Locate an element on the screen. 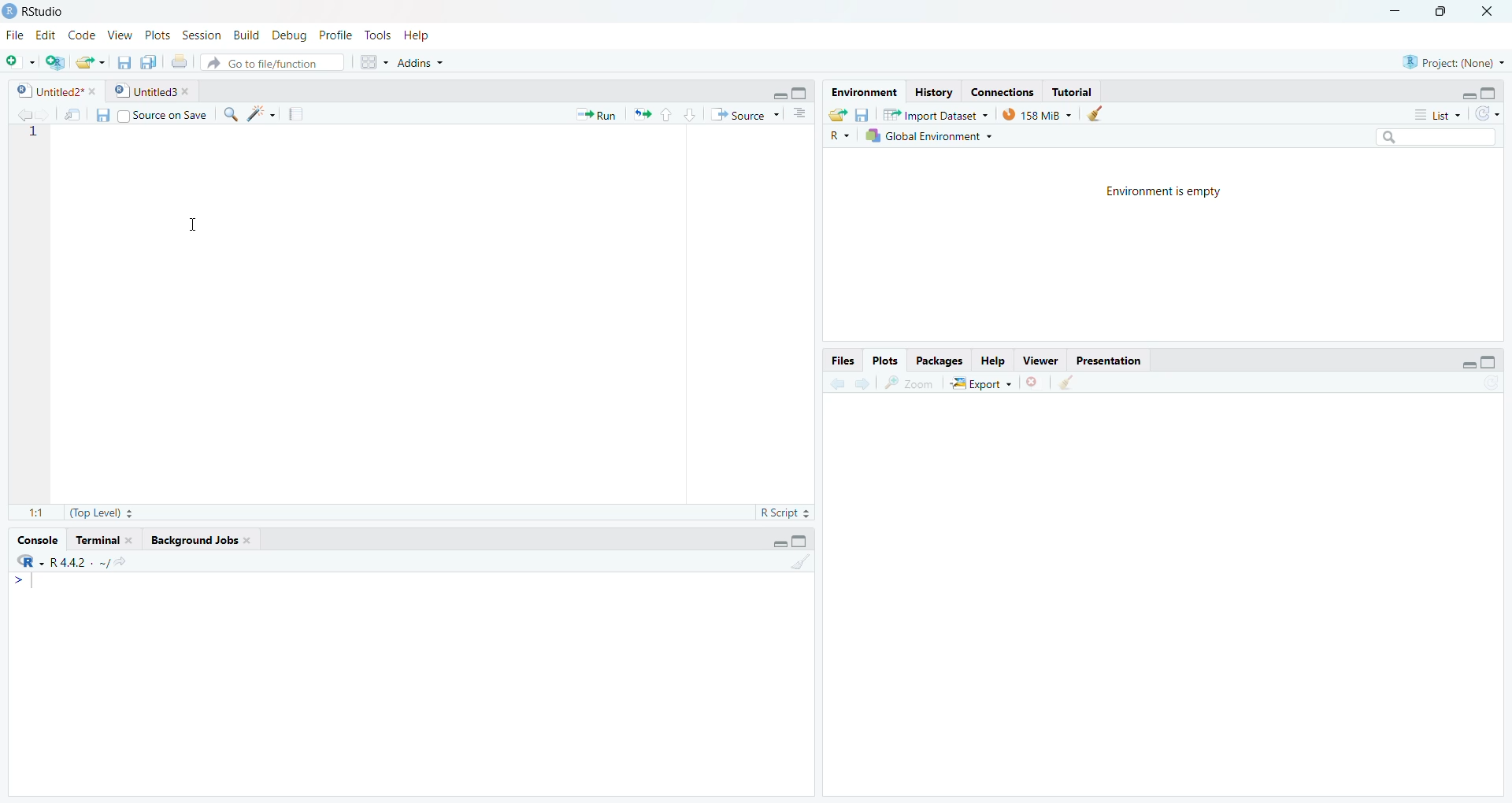  text cursor is located at coordinates (191, 225).